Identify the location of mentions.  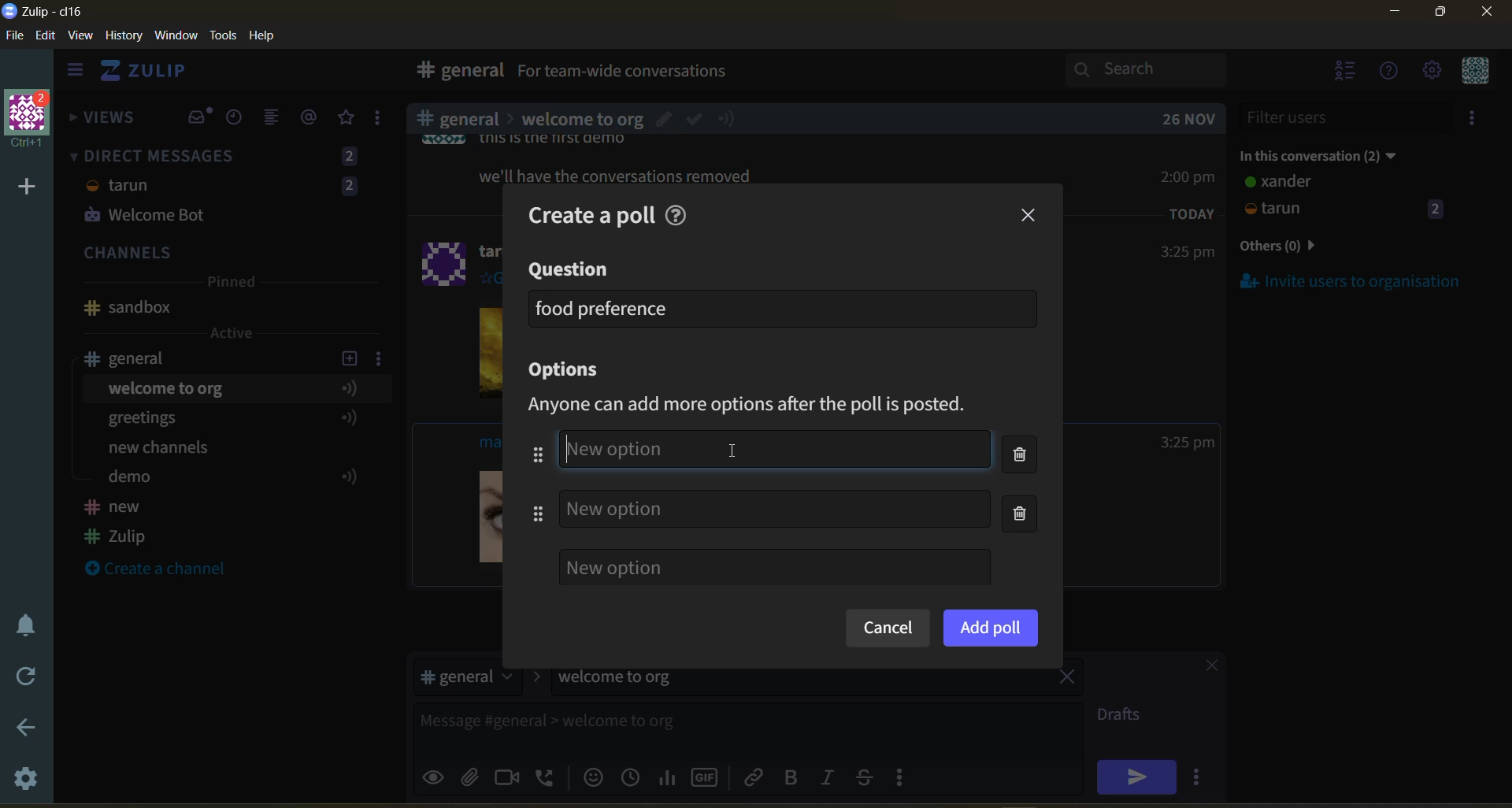
(312, 117).